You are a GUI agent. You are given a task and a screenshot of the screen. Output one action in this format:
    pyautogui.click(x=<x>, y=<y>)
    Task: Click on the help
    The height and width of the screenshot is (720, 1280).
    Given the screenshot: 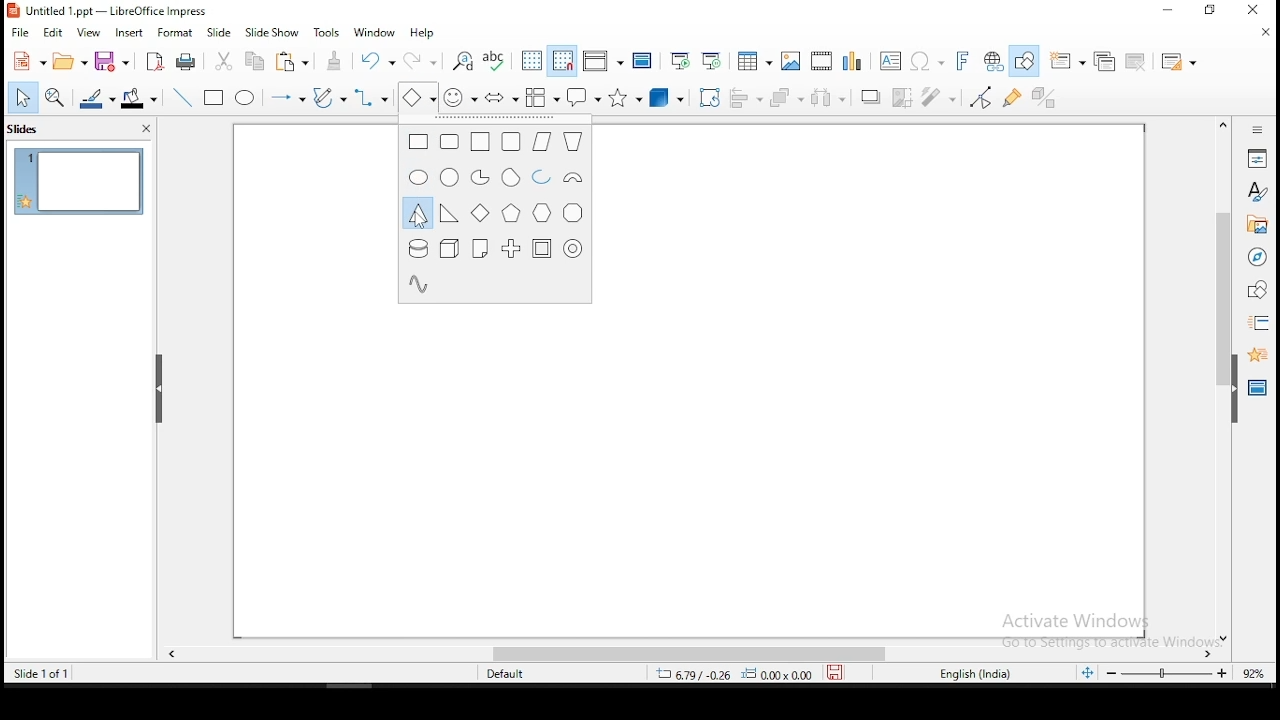 What is the action you would take?
    pyautogui.click(x=427, y=33)
    